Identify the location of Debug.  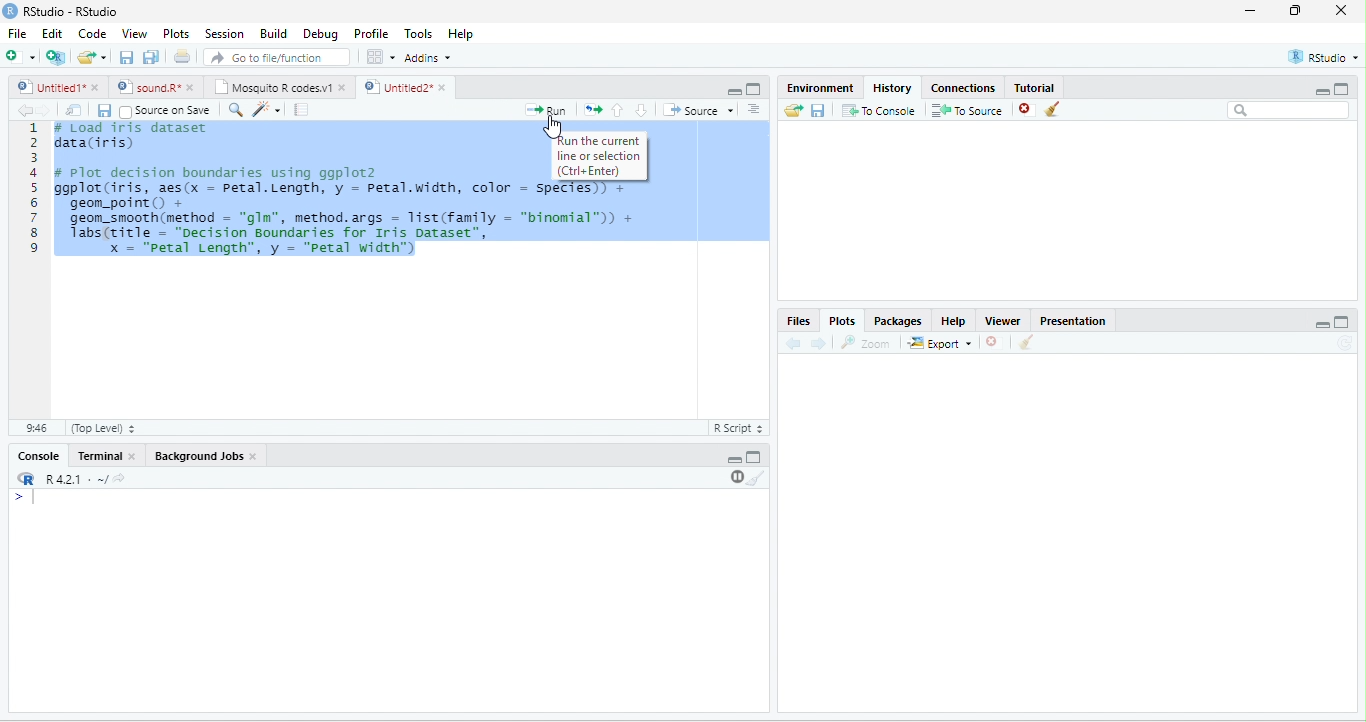
(324, 35).